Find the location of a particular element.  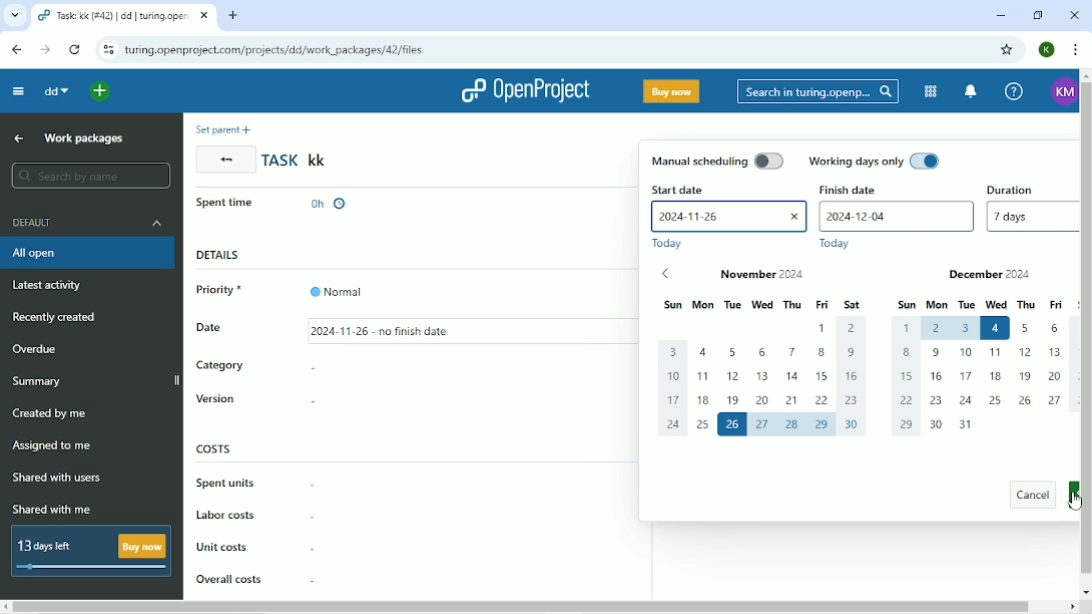

Priority * is located at coordinates (227, 290).